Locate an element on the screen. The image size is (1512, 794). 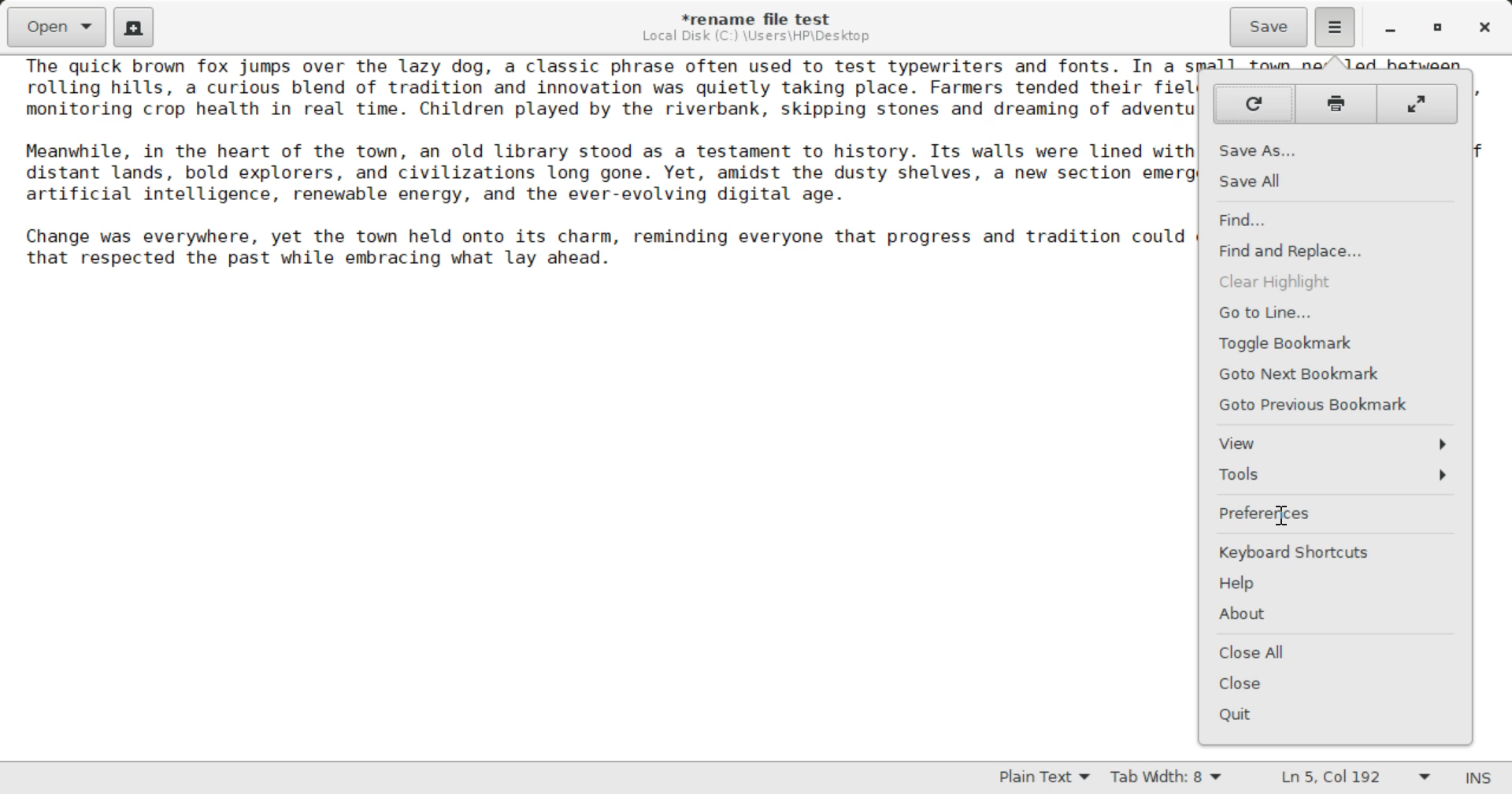
Refresh Page is located at coordinates (1252, 104).